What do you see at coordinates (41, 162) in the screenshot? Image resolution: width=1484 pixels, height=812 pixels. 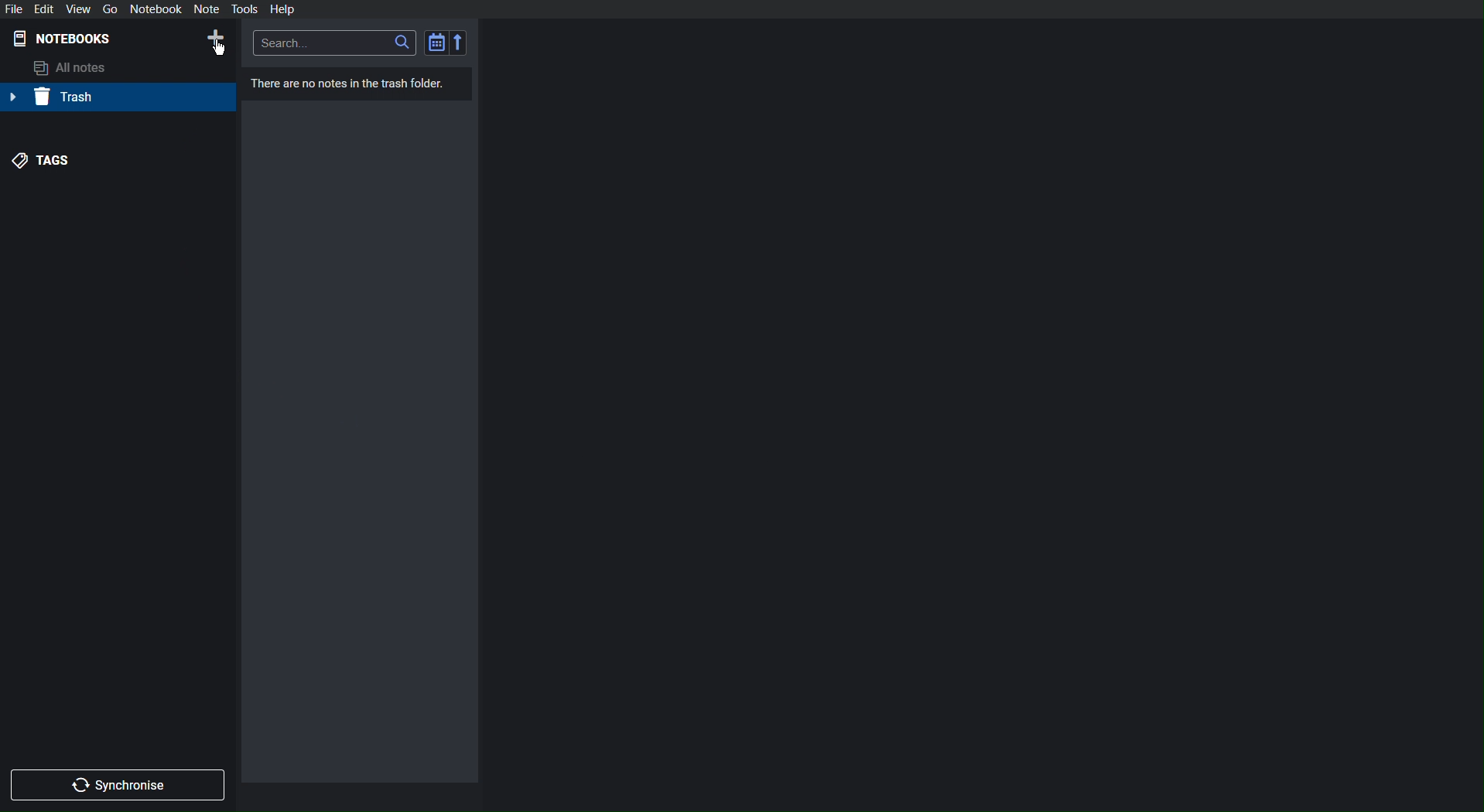 I see `Tags` at bounding box center [41, 162].